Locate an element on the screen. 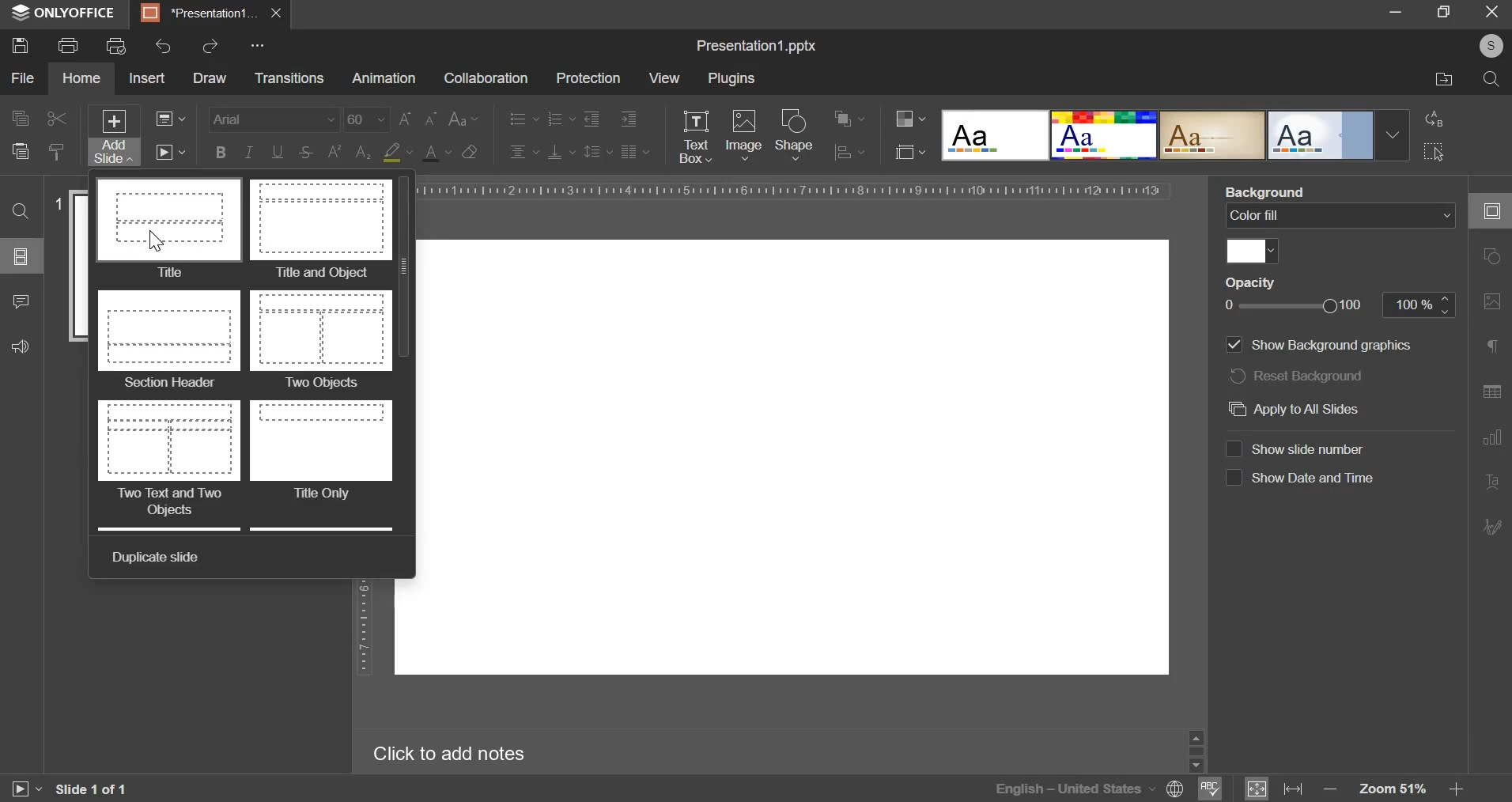 This screenshot has height=802, width=1512. exit is located at coordinates (1493, 10).